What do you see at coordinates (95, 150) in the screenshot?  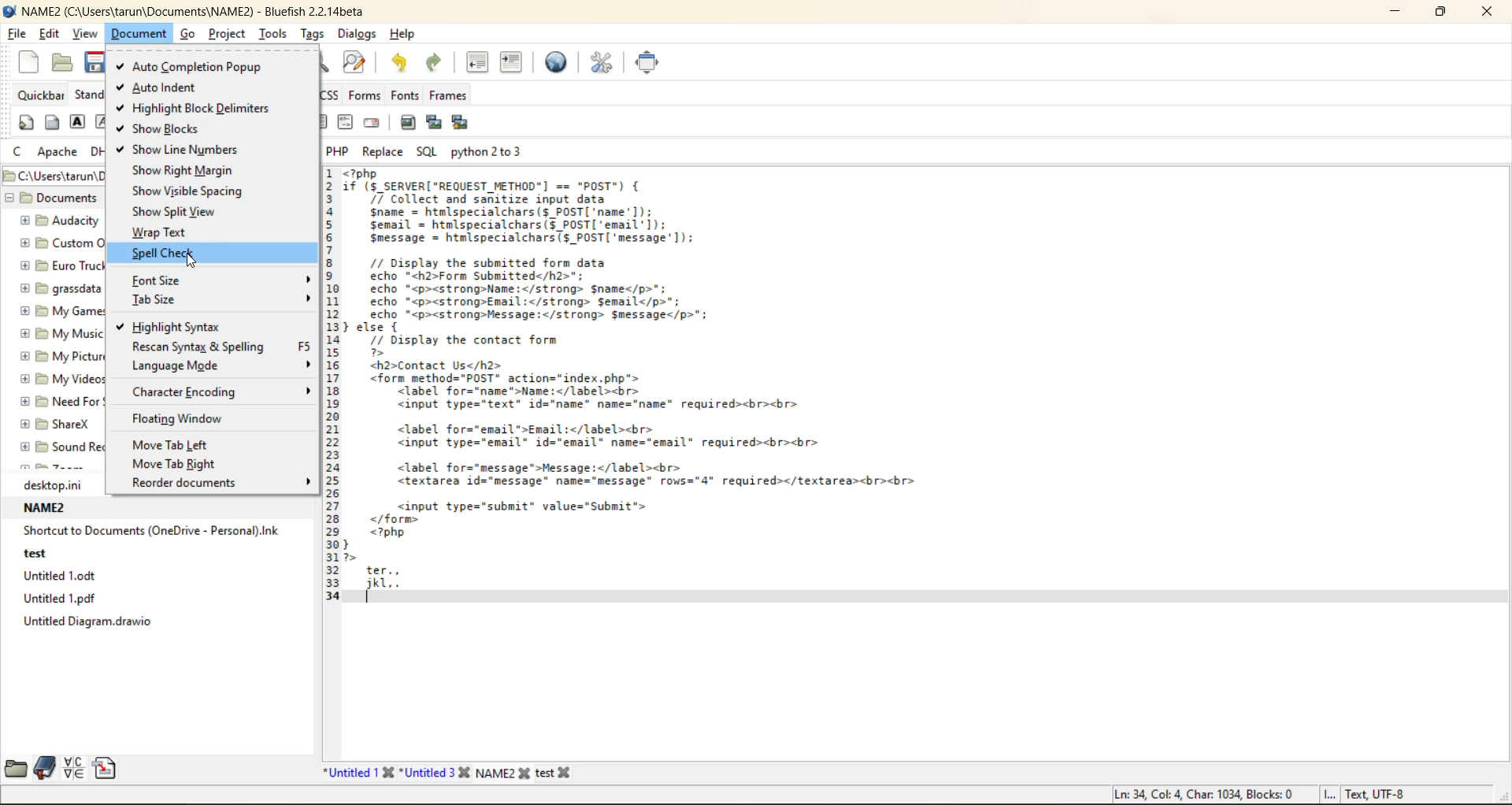 I see `dhtml` at bounding box center [95, 150].